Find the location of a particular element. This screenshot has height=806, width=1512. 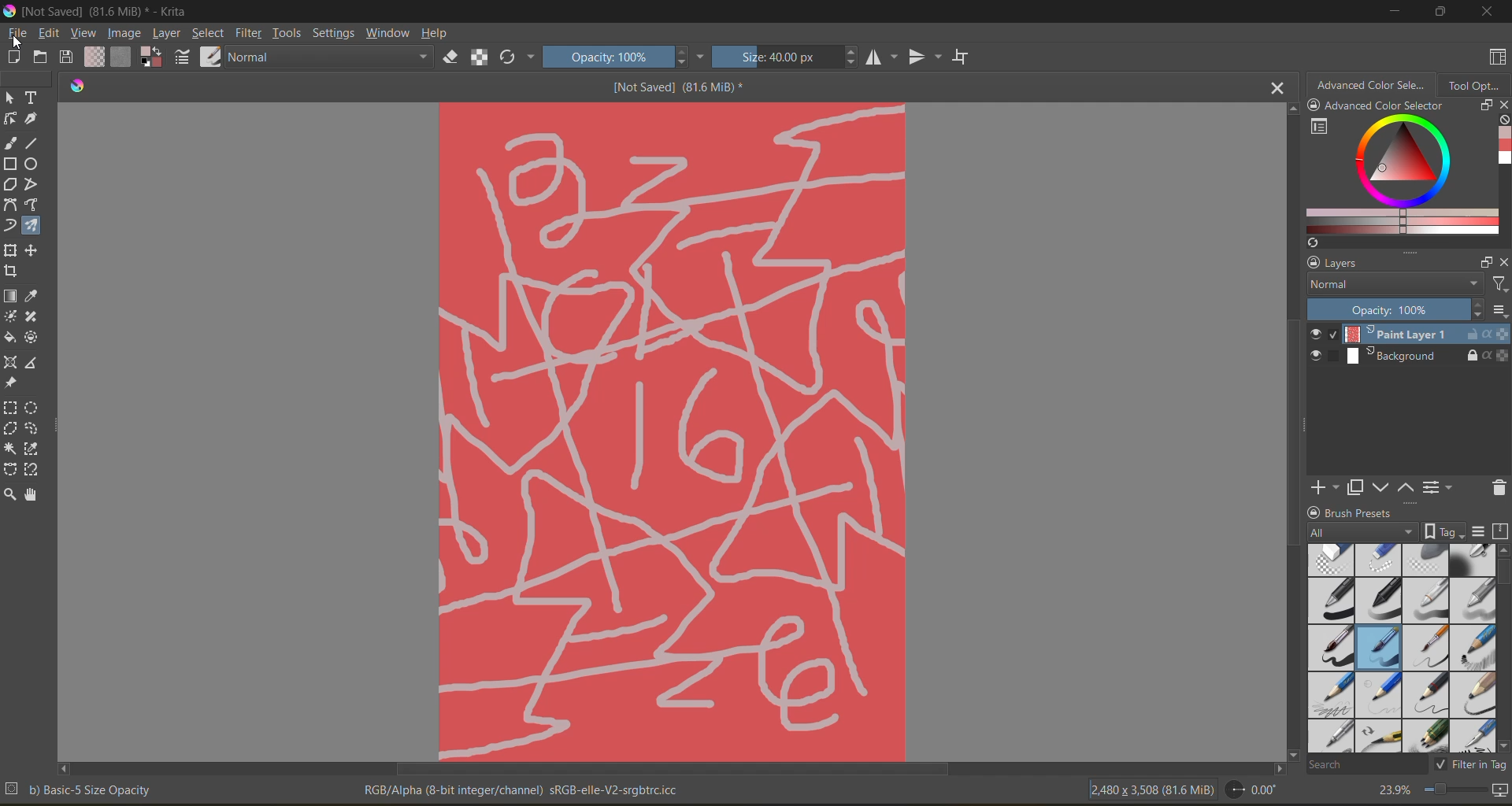

image metadata is located at coordinates (1151, 788).